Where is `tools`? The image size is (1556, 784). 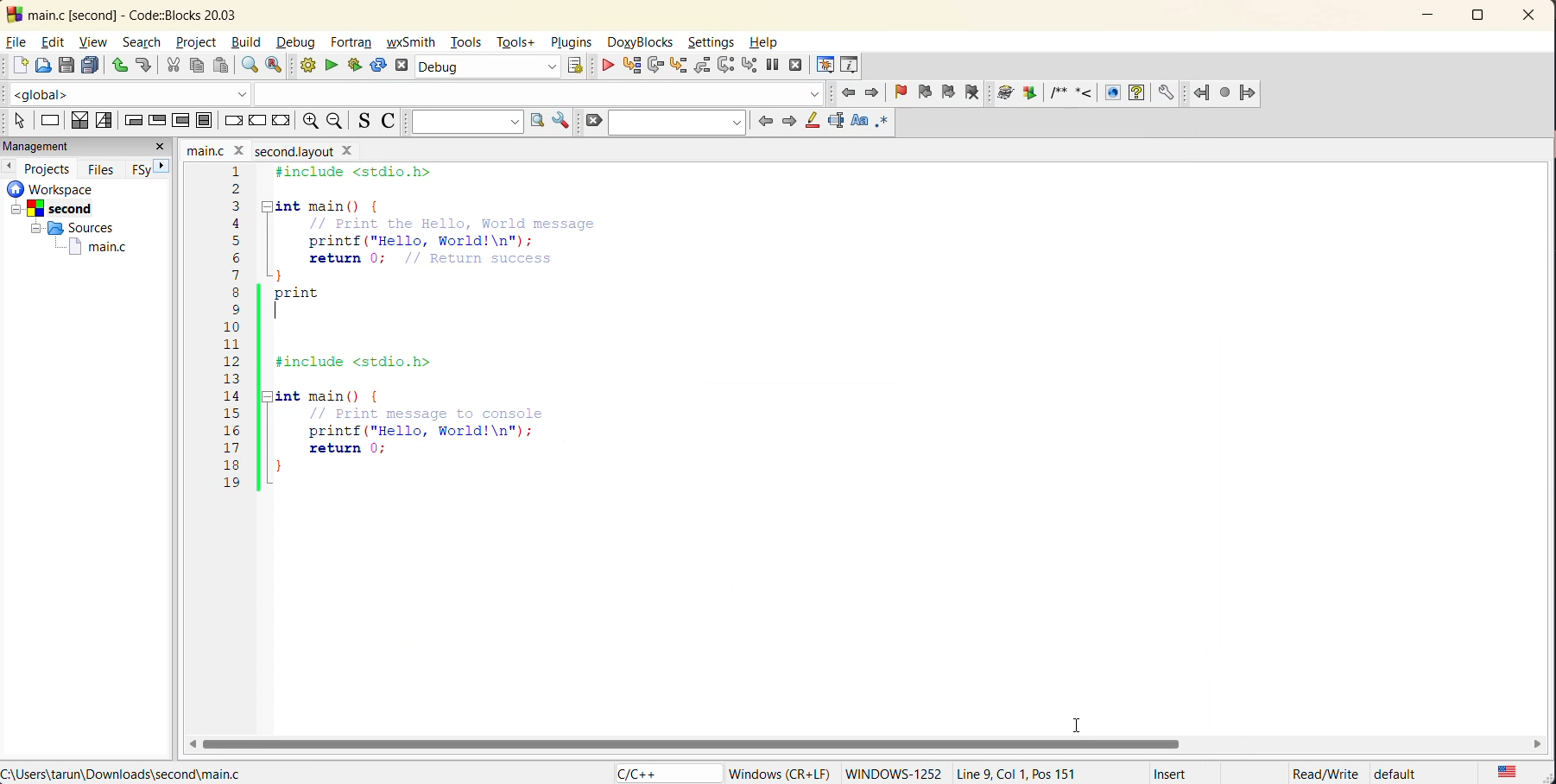 tools is located at coordinates (468, 44).